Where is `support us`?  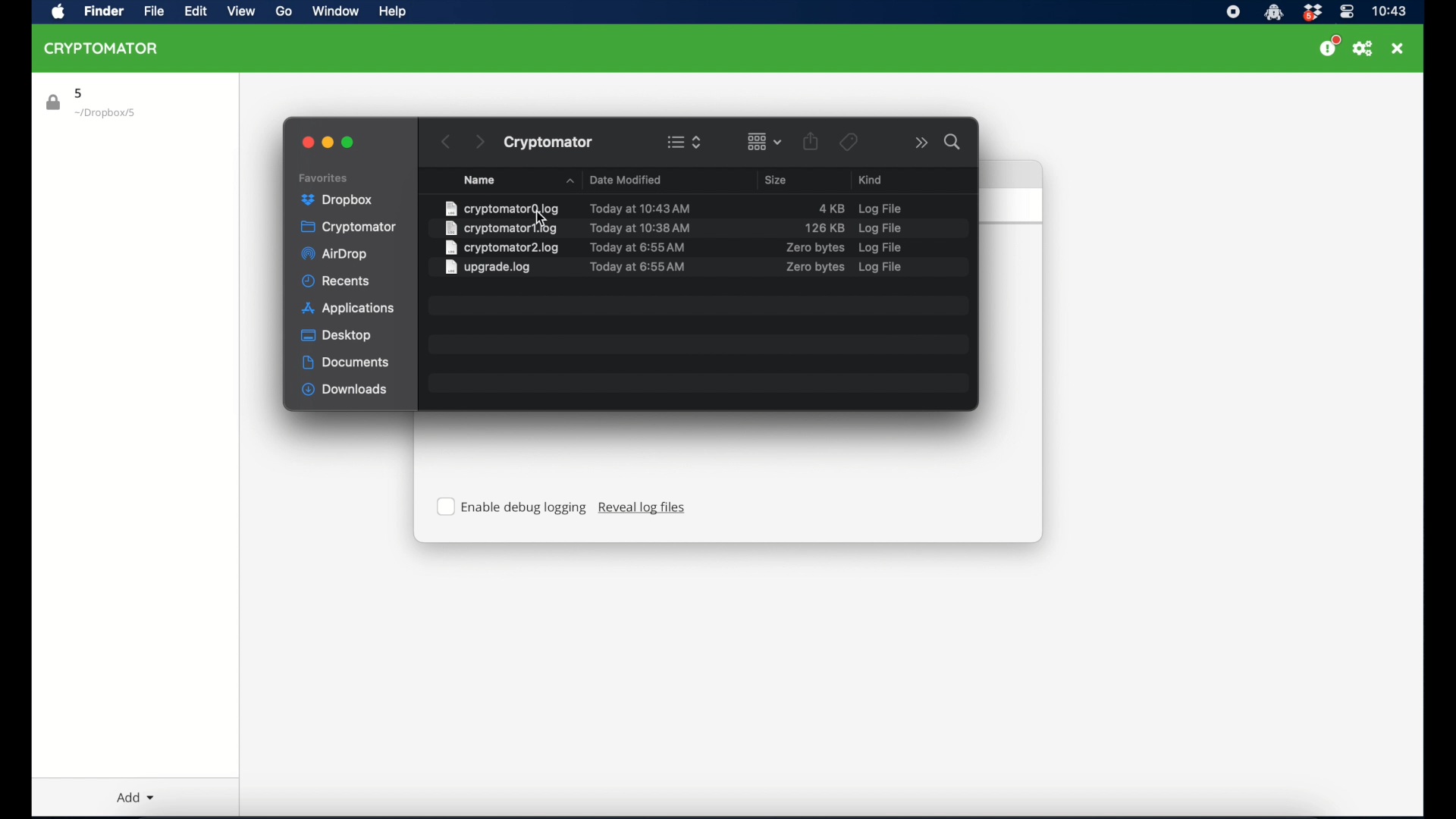
support us is located at coordinates (1331, 46).